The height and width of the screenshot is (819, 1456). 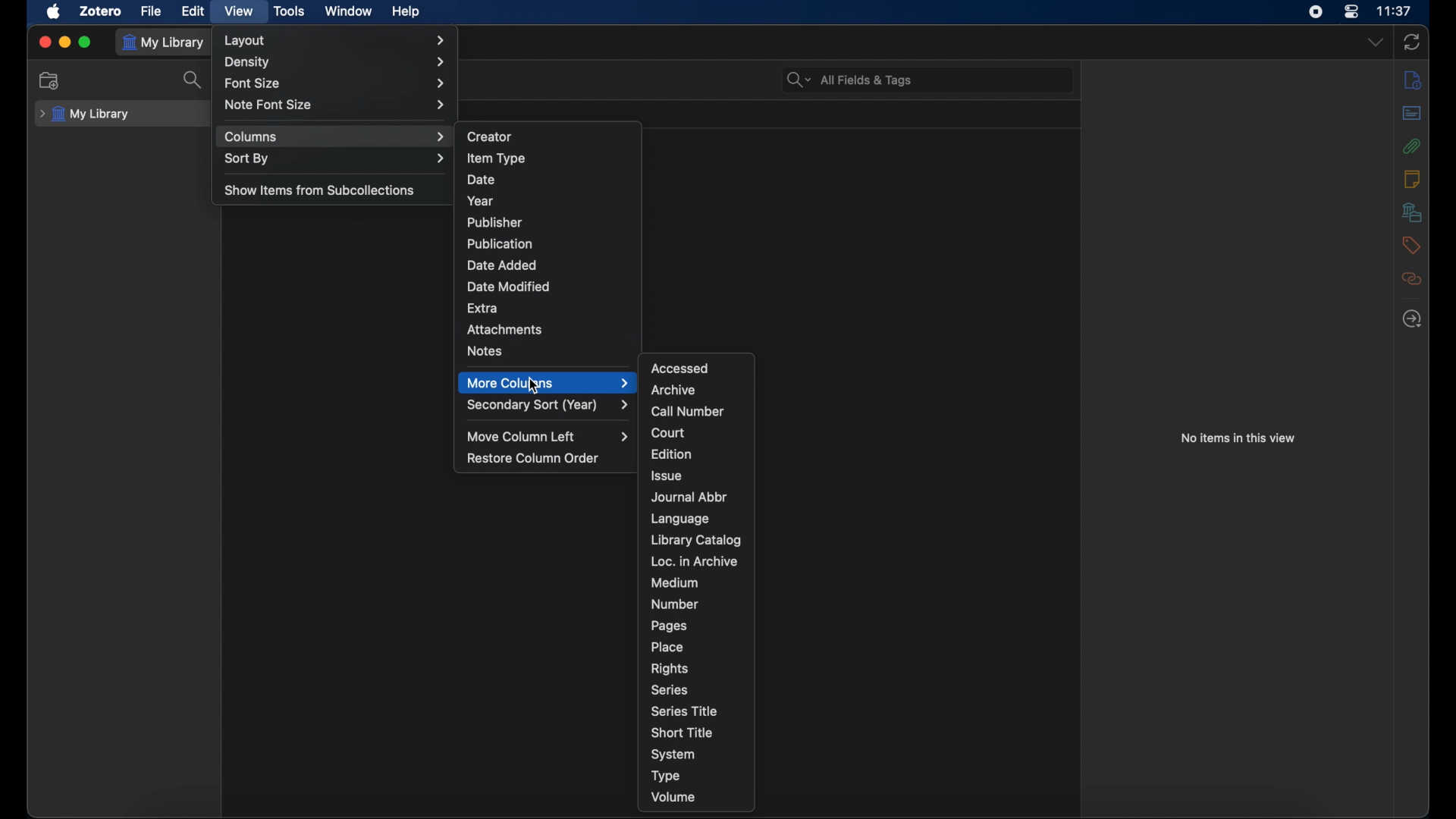 What do you see at coordinates (673, 453) in the screenshot?
I see `edition` at bounding box center [673, 453].